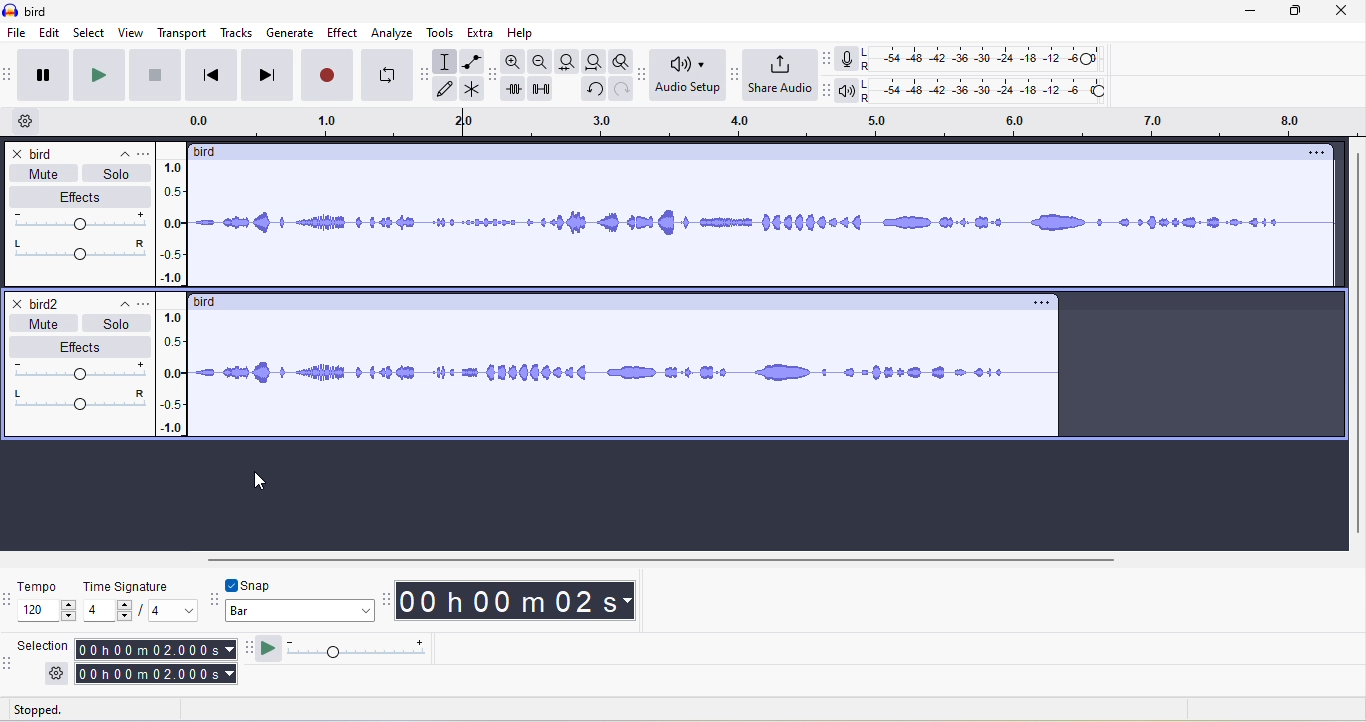 The image size is (1366, 722). Describe the element at coordinates (689, 74) in the screenshot. I see `audio setup toolbar` at that location.